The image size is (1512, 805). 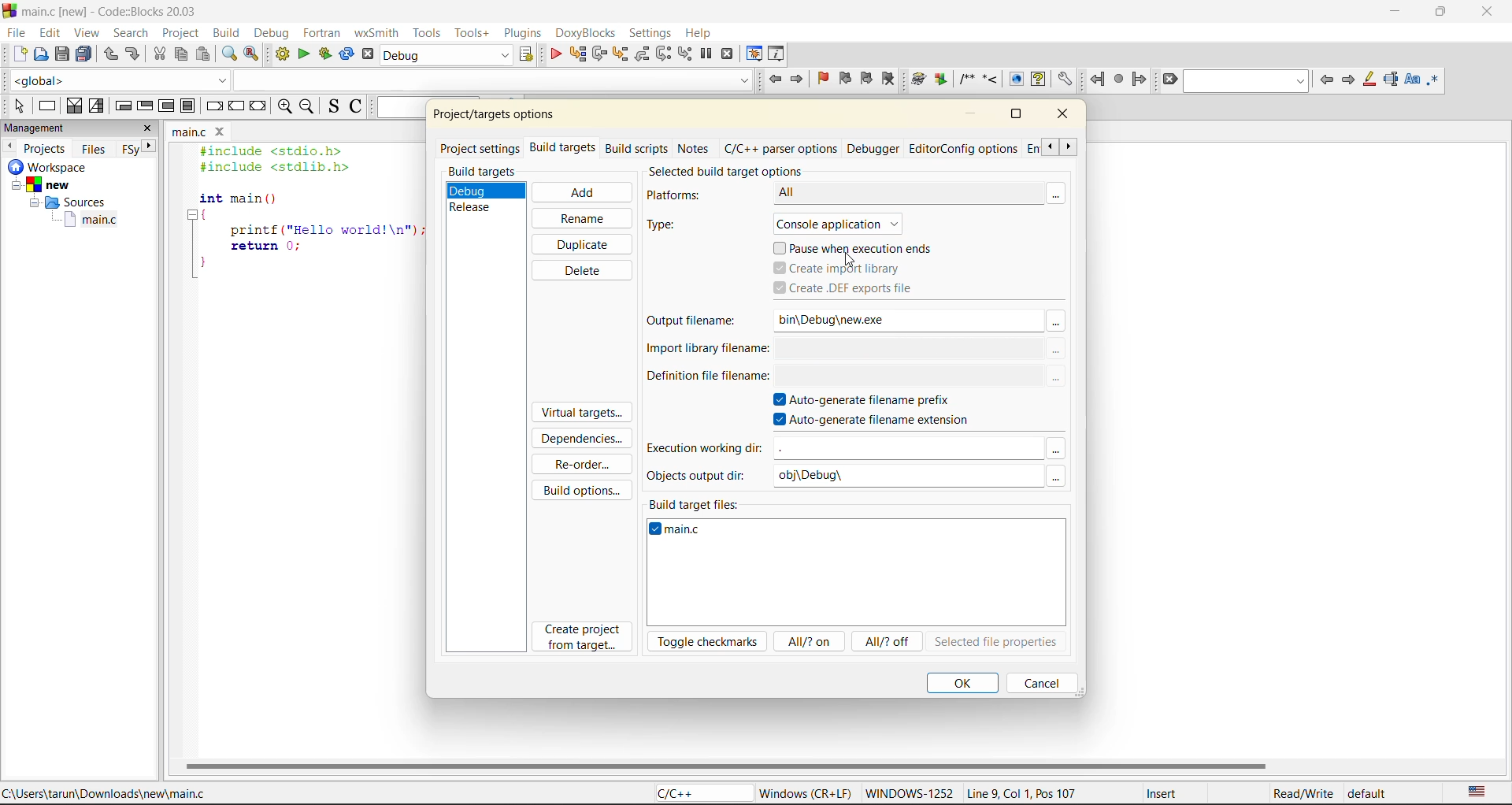 I want to click on tools, so click(x=426, y=34).